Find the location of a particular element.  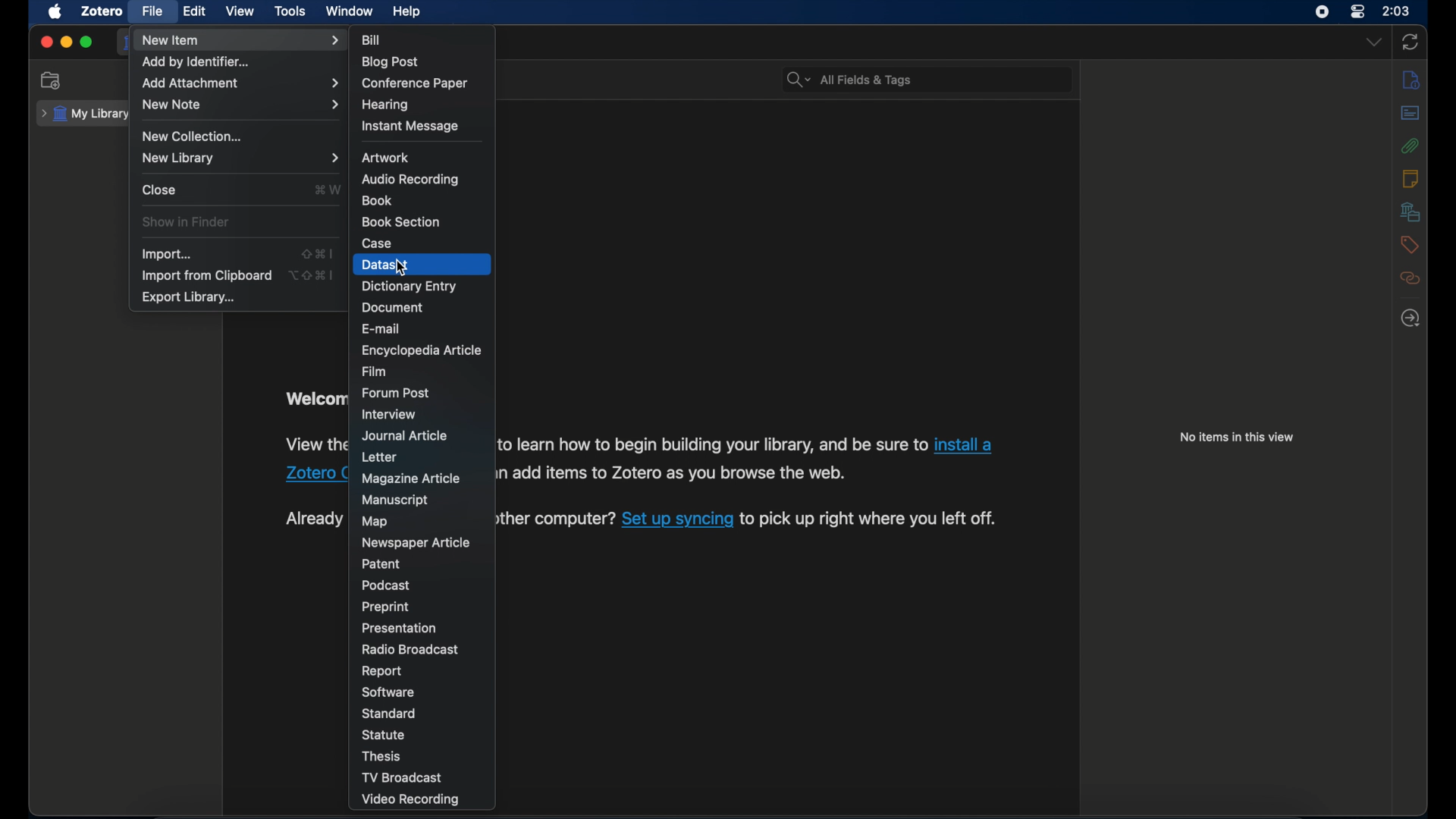

no items in this view is located at coordinates (1238, 437).